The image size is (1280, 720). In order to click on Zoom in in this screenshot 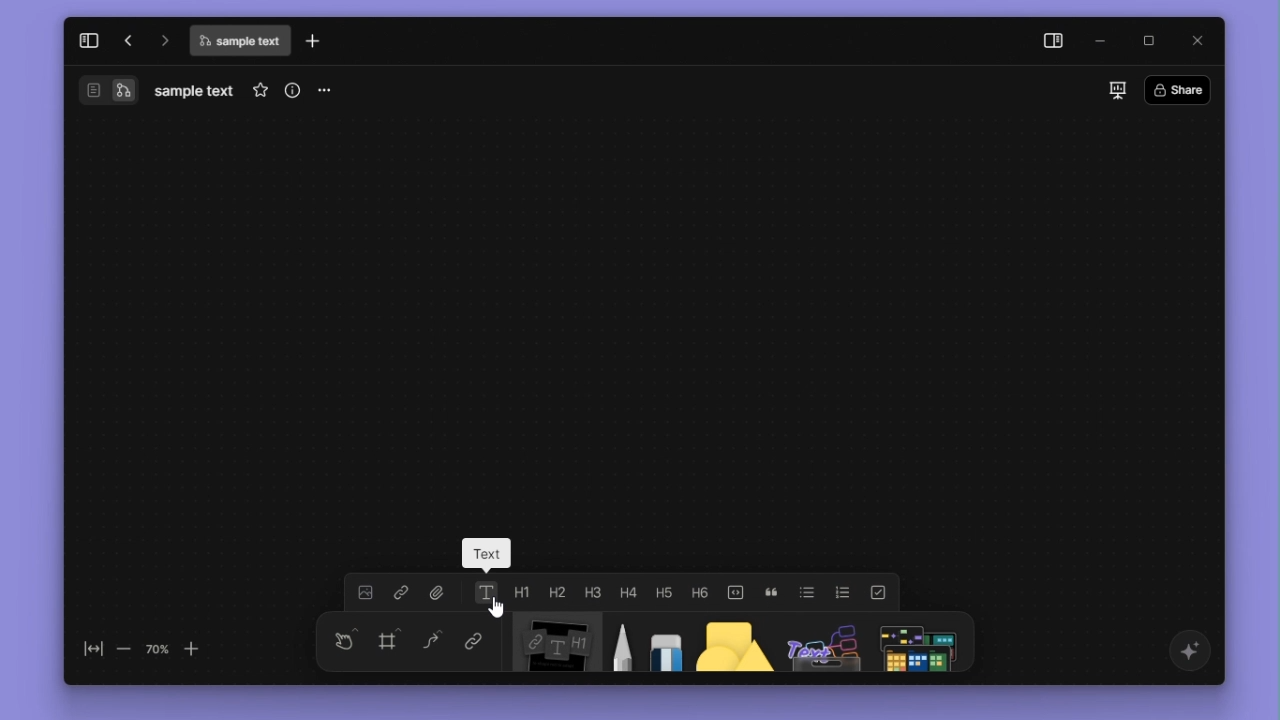, I will do `click(202, 648)`.